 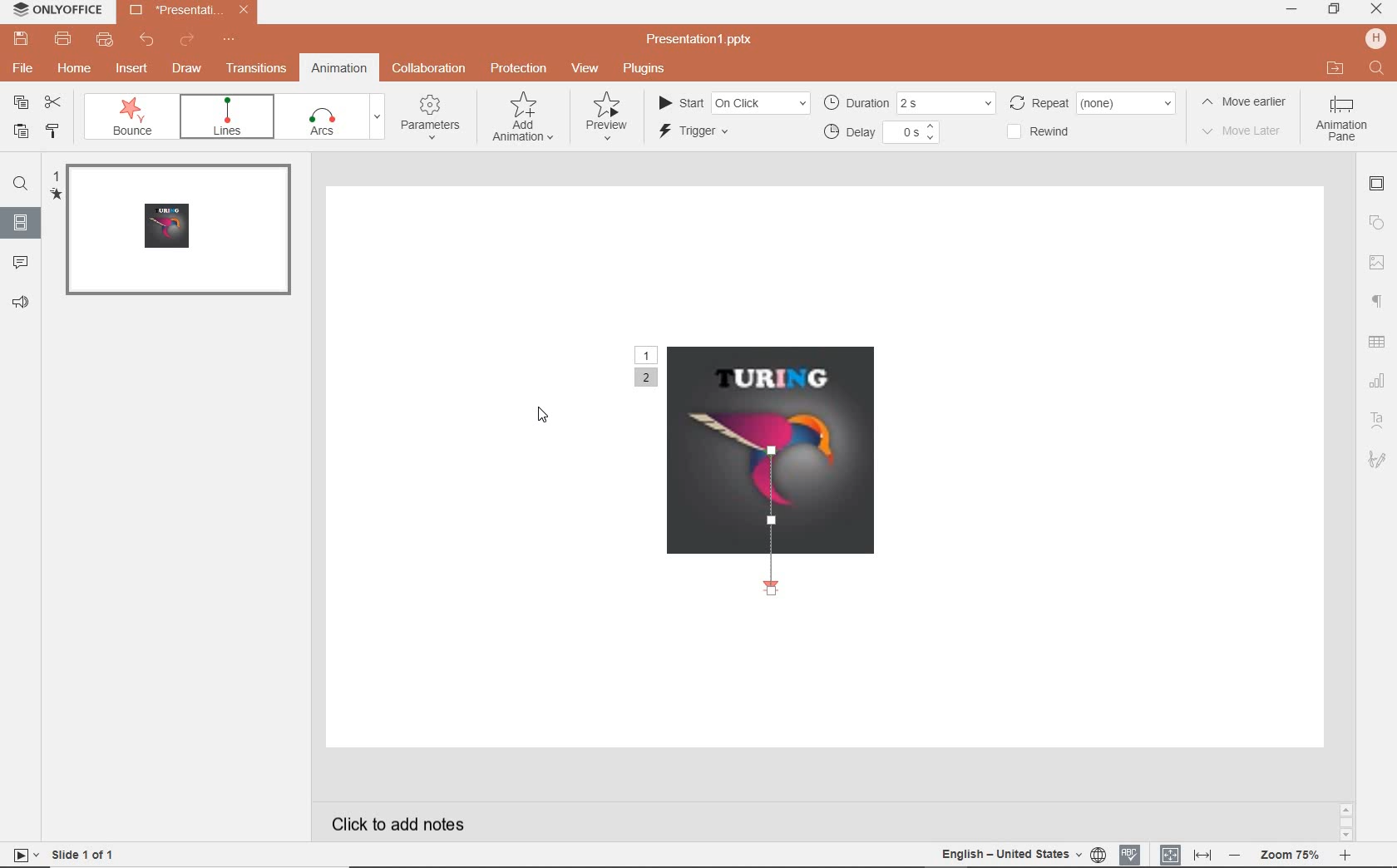 What do you see at coordinates (1099, 854) in the screenshot?
I see `set document language` at bounding box center [1099, 854].